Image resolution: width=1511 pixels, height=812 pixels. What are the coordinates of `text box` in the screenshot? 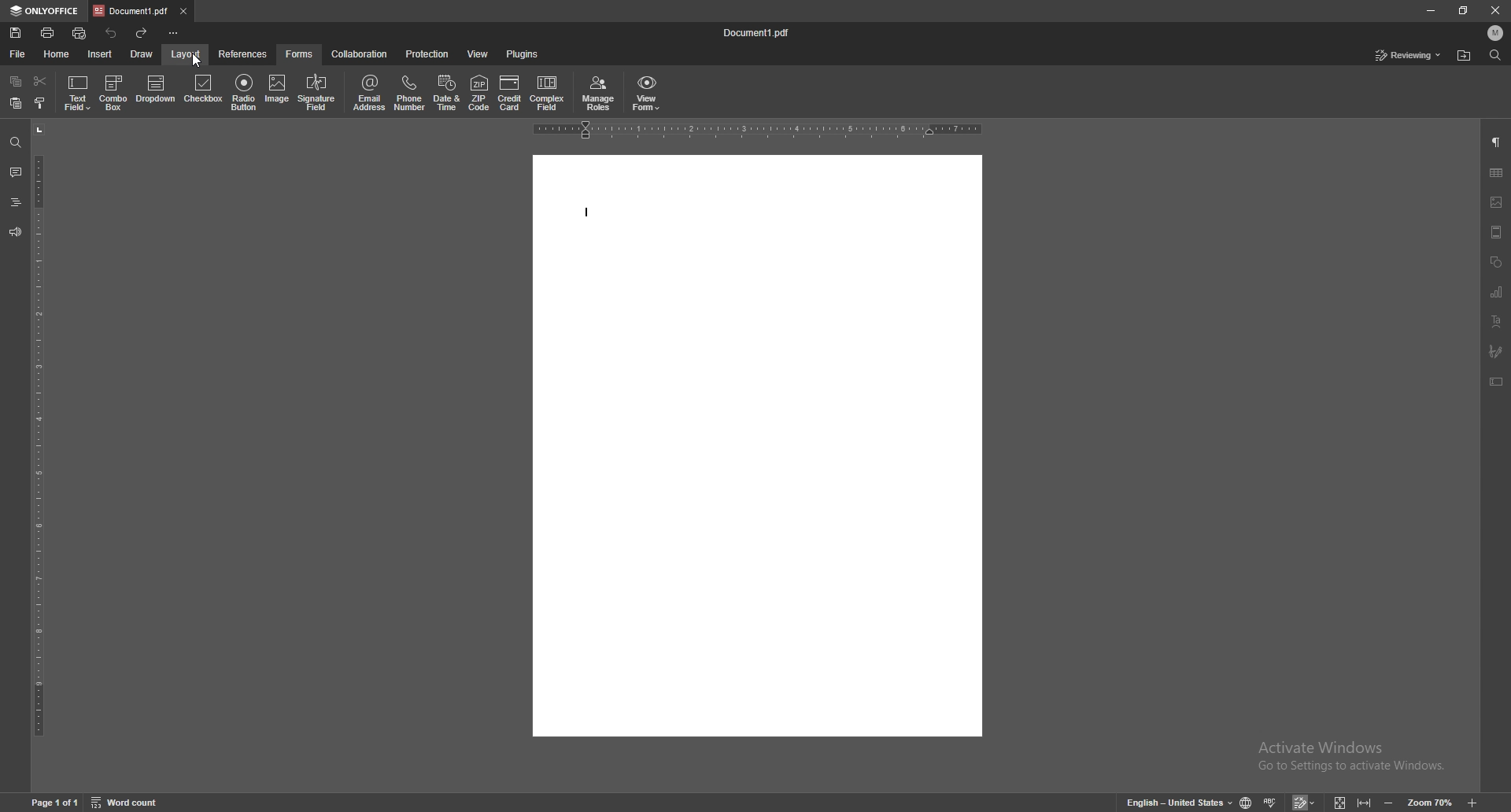 It's located at (1497, 382).